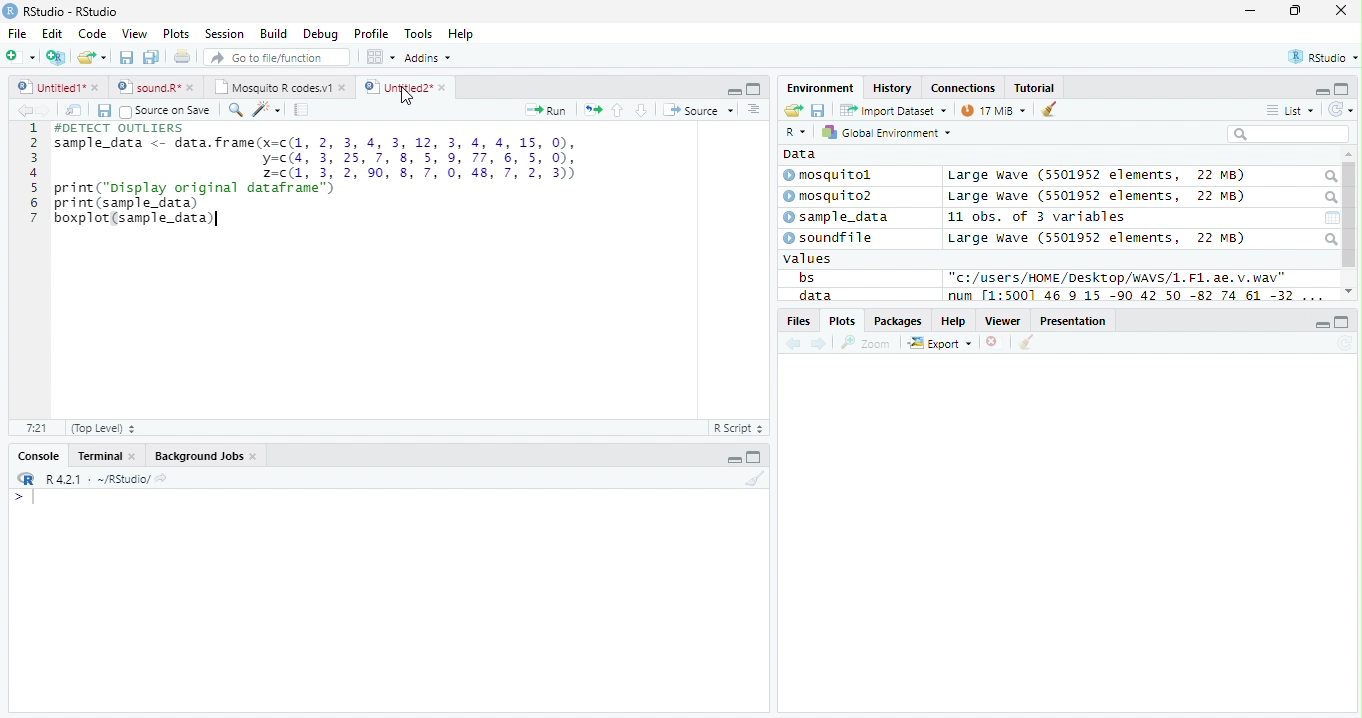 This screenshot has height=718, width=1362. Describe the element at coordinates (818, 110) in the screenshot. I see `Save` at that location.